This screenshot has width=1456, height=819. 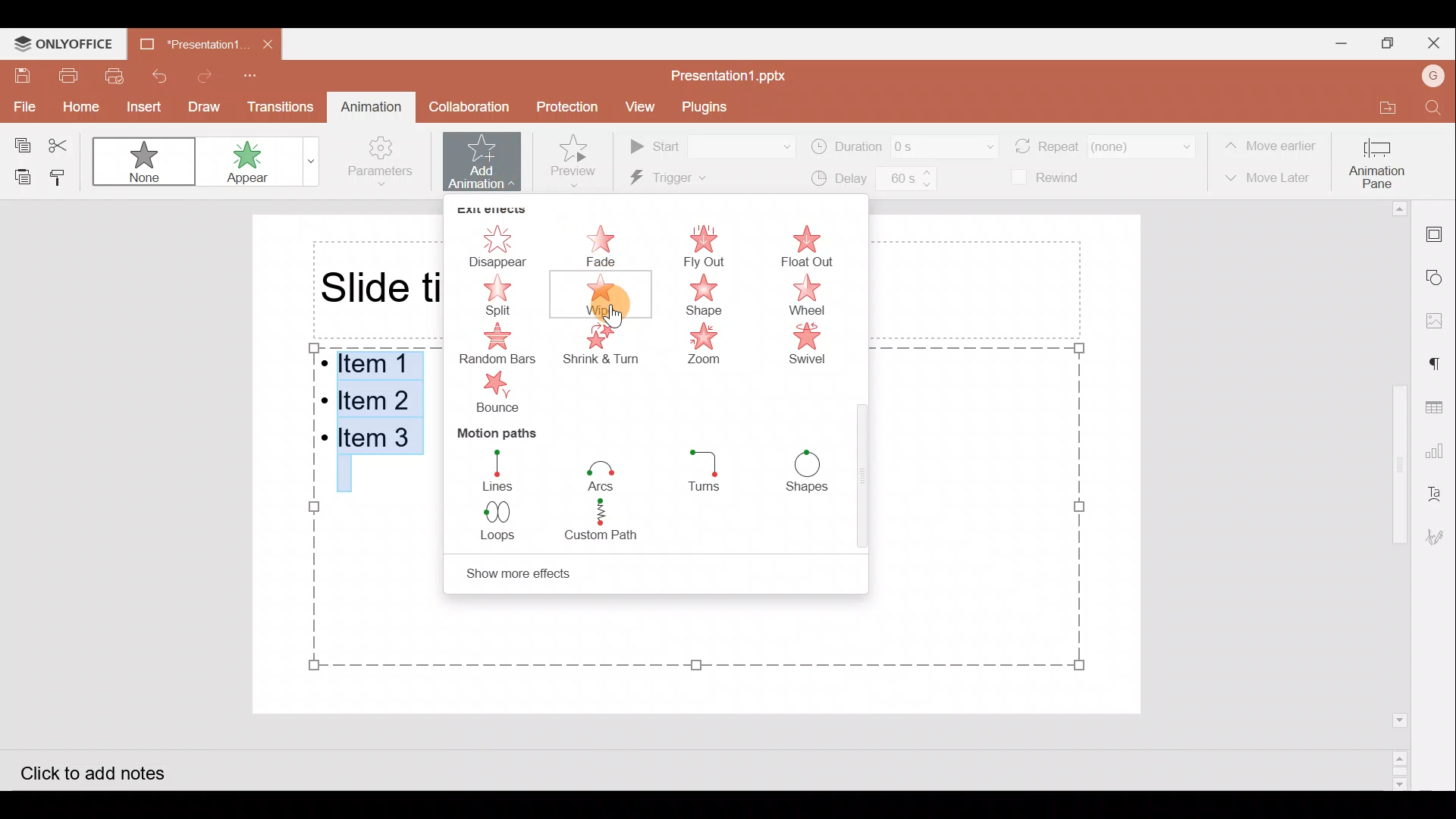 What do you see at coordinates (614, 523) in the screenshot?
I see `Custom path` at bounding box center [614, 523].